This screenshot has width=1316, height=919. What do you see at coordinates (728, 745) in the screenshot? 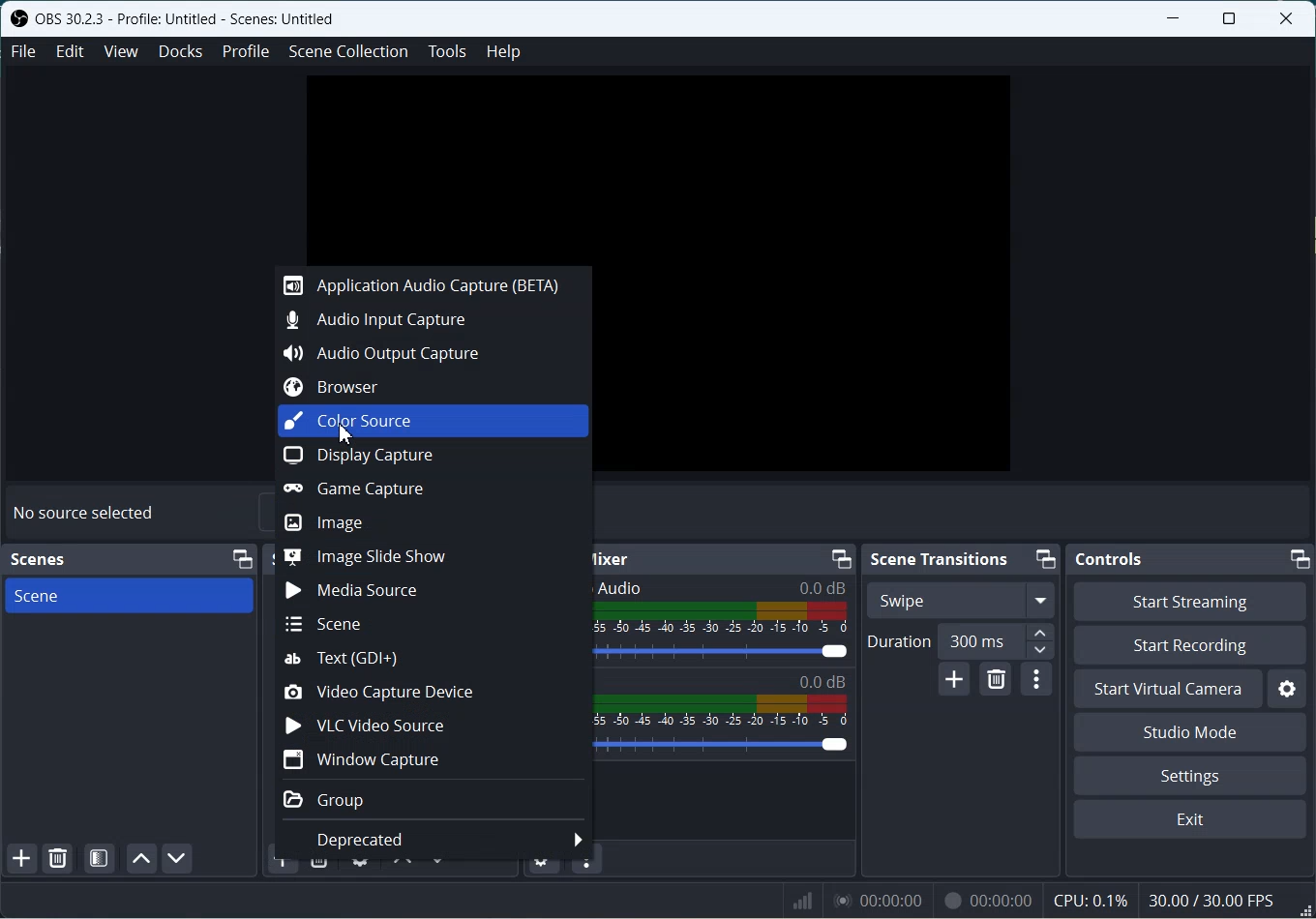
I see `Volume Adjuster` at bounding box center [728, 745].